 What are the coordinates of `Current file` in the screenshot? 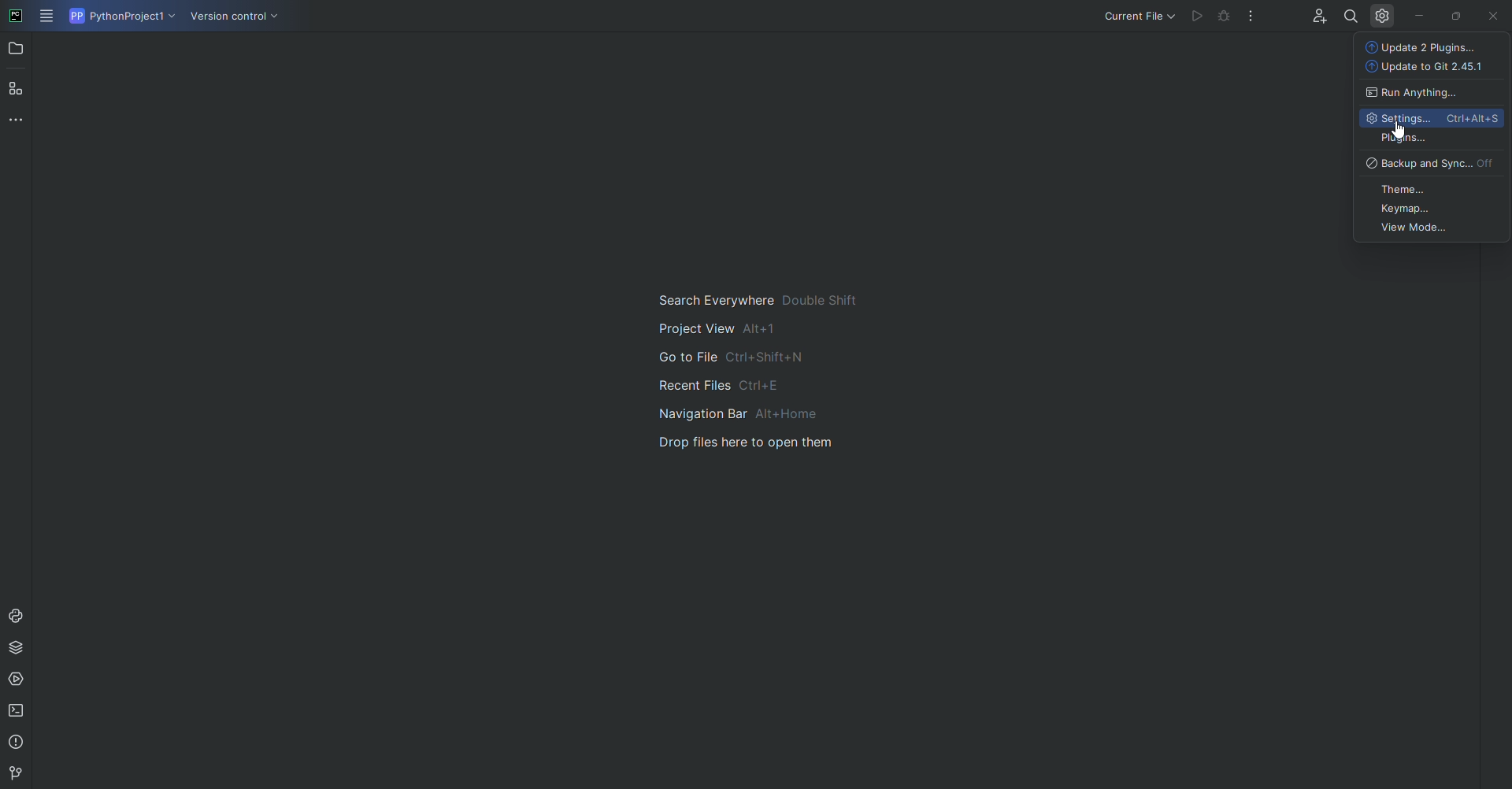 It's located at (1138, 16).